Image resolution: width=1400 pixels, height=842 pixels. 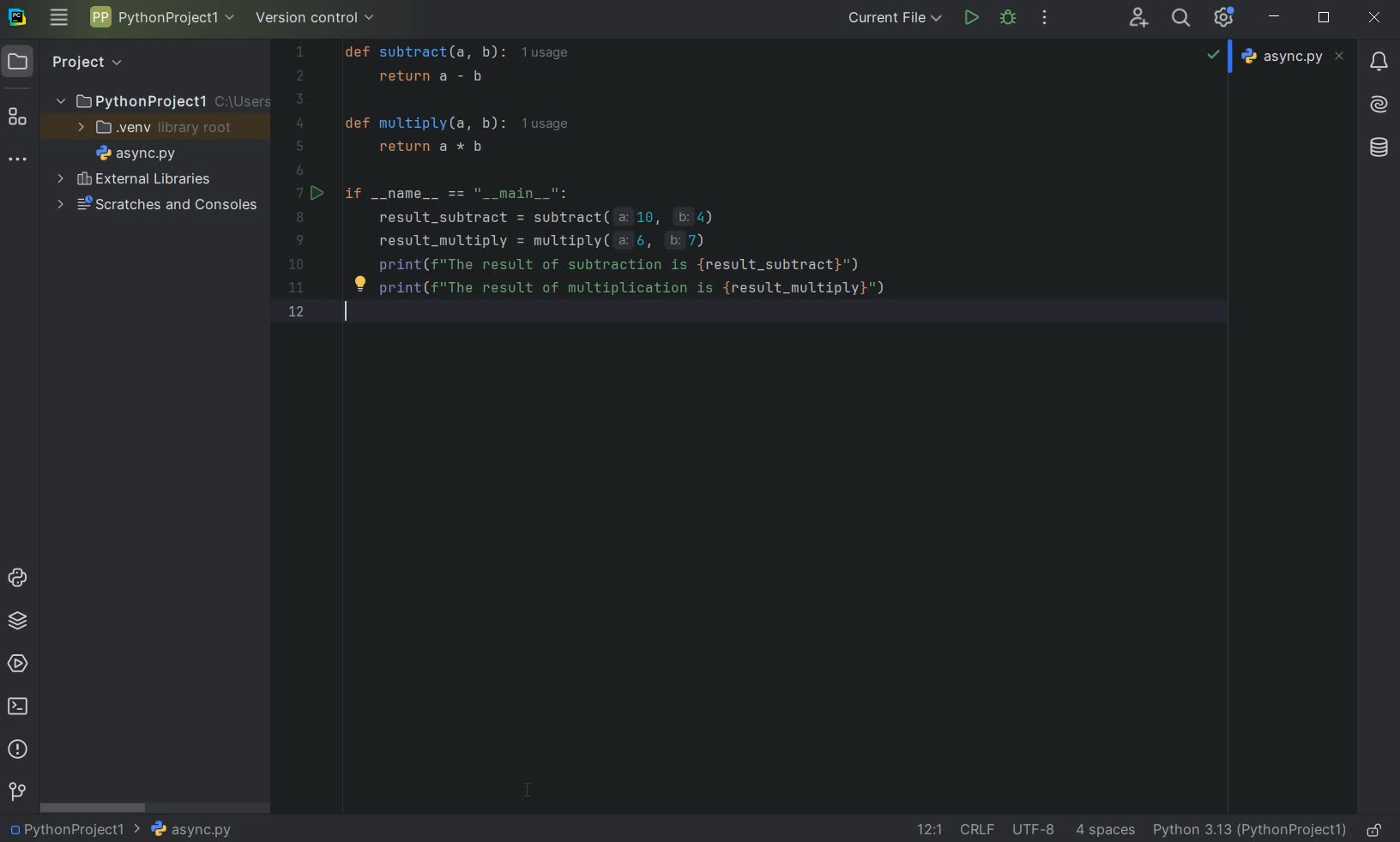 What do you see at coordinates (1044, 19) in the screenshot?
I see `more actions` at bounding box center [1044, 19].